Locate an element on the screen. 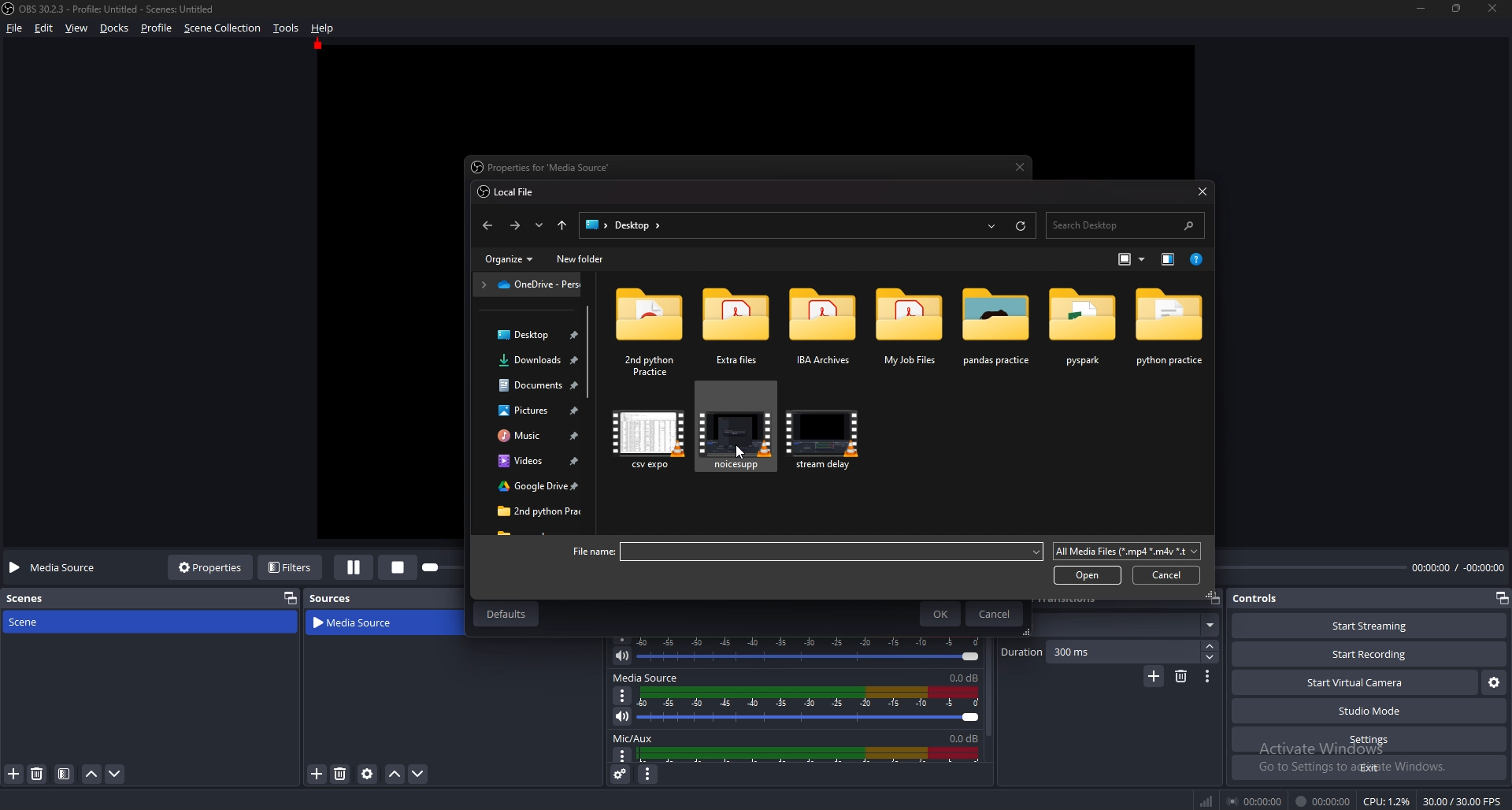  stop is located at coordinates (402, 566).